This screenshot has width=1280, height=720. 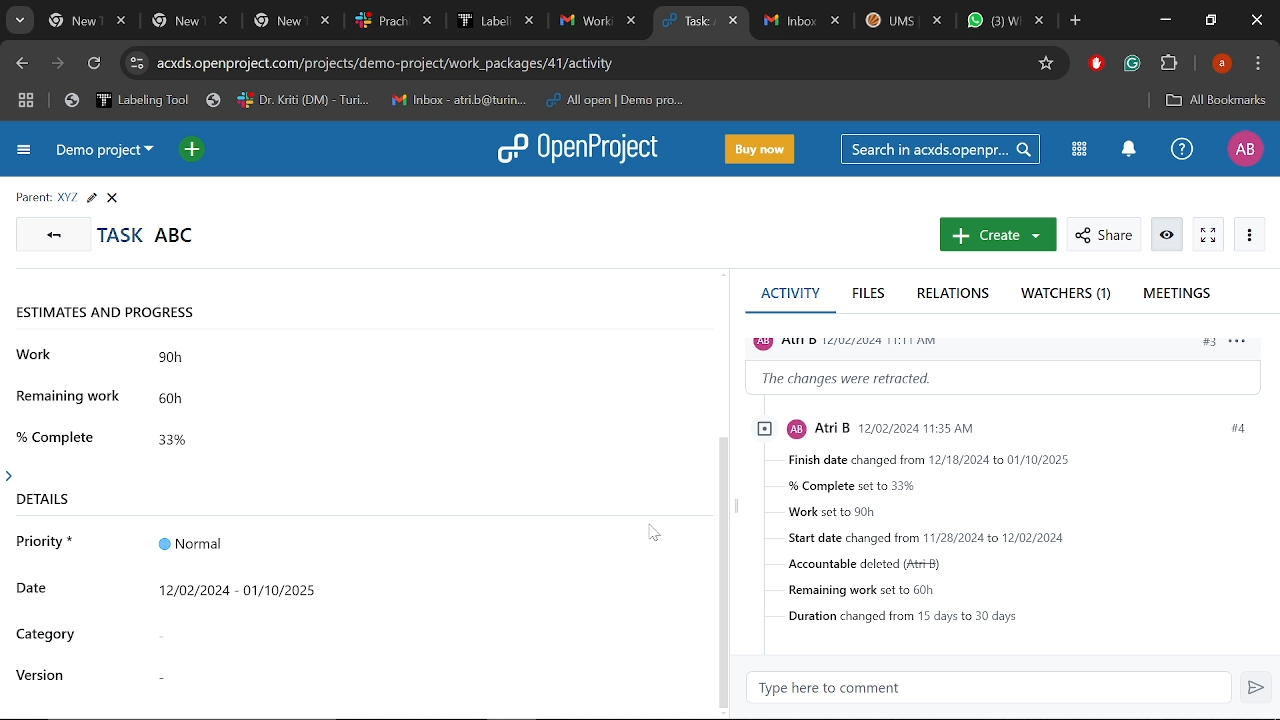 I want to click on remaining work, so click(x=71, y=400).